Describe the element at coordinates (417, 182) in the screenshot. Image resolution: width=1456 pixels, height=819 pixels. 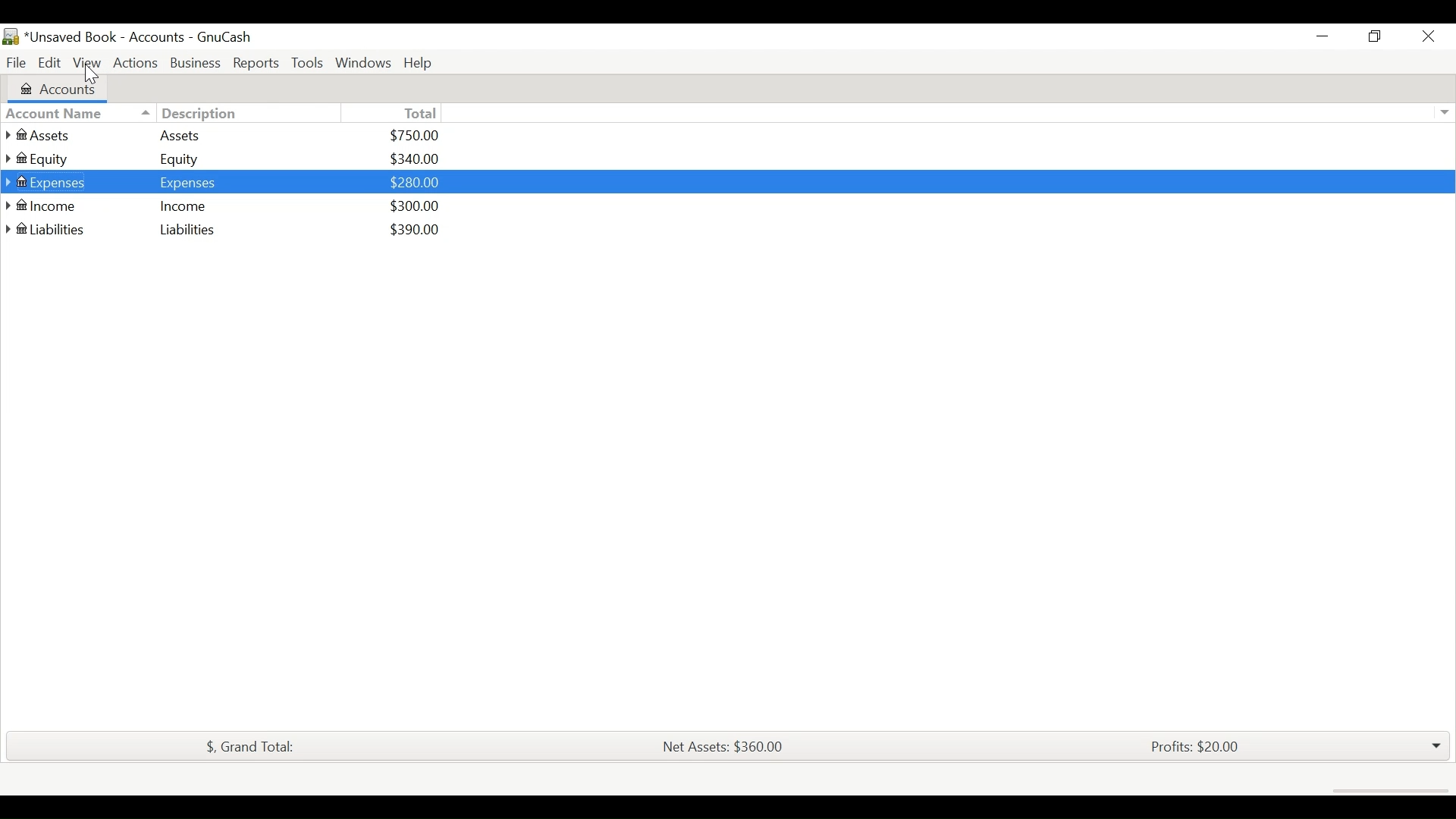
I see `$280.00` at that location.